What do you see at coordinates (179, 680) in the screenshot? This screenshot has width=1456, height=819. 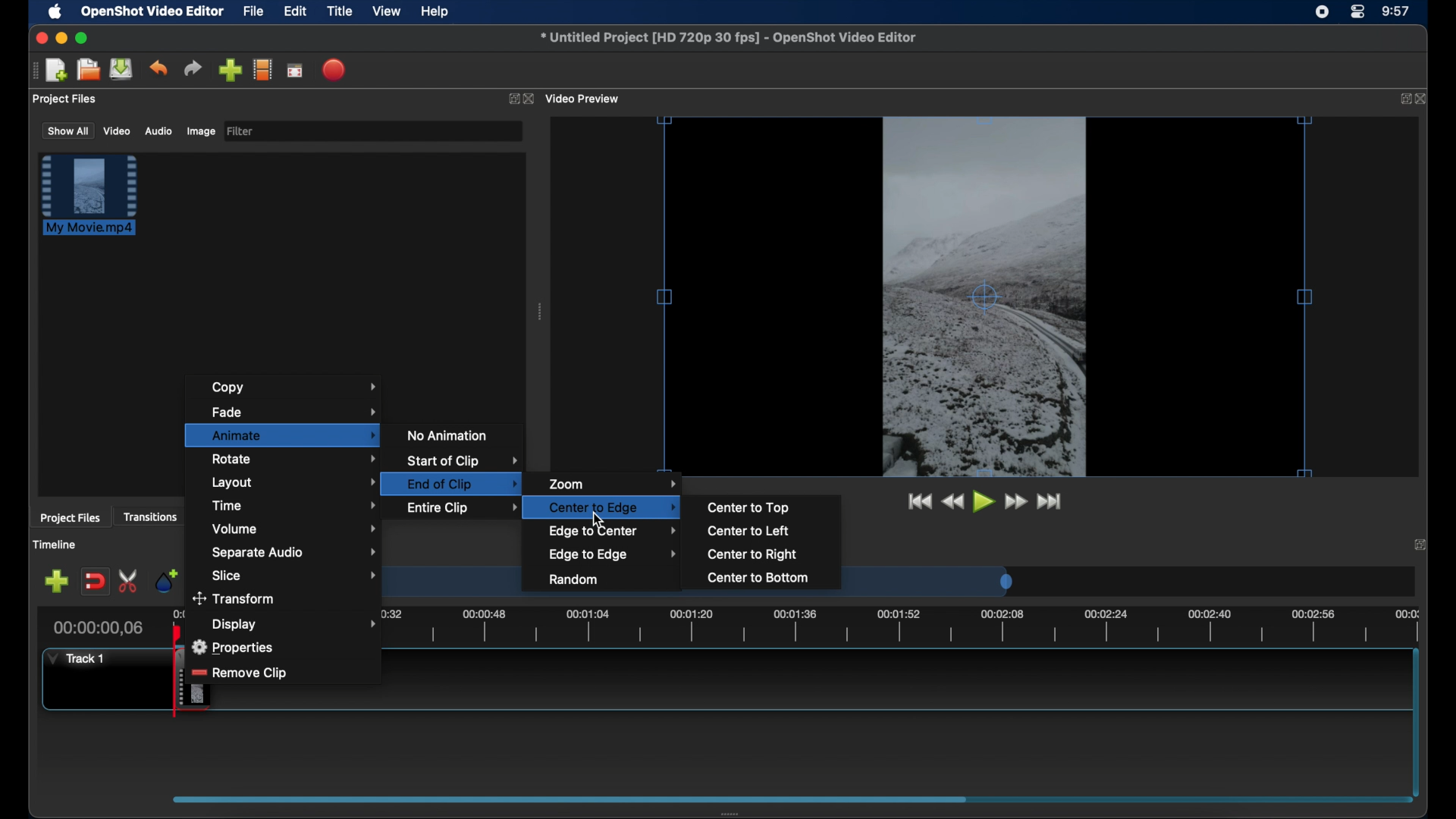 I see `drag cursor` at bounding box center [179, 680].